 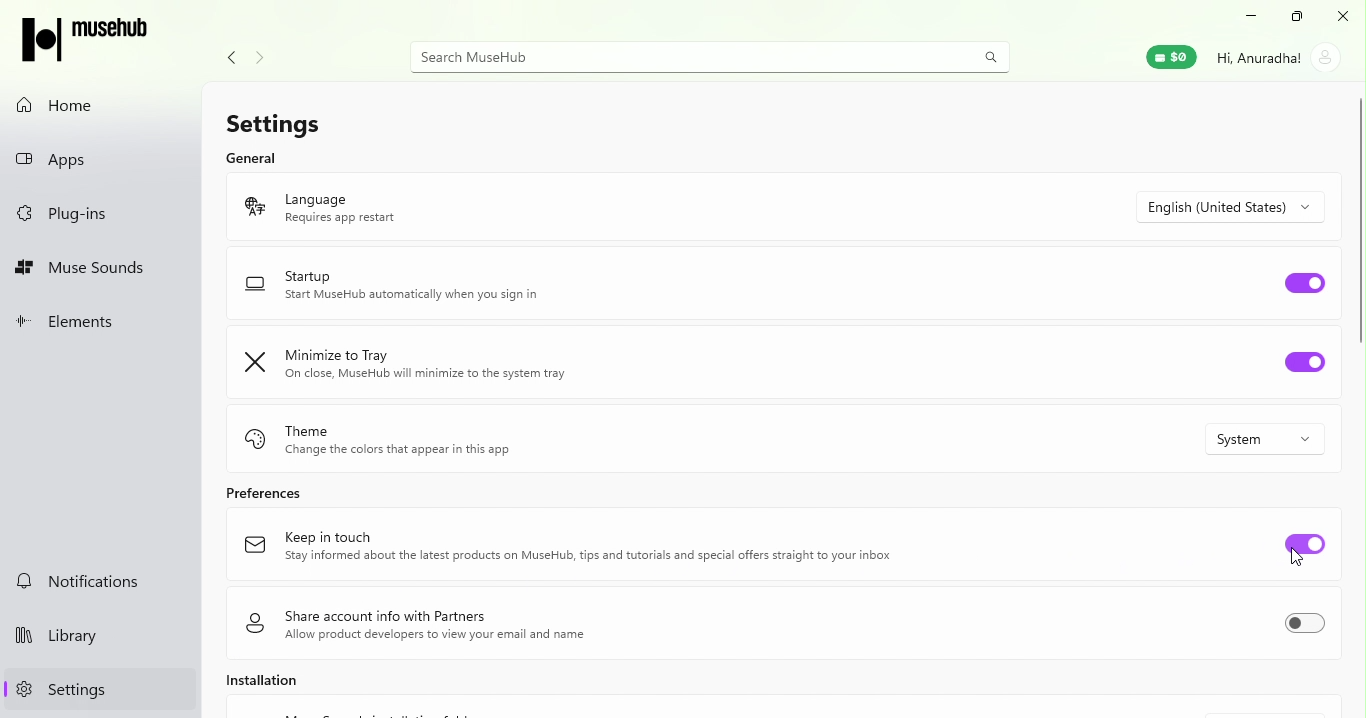 I want to click on Muse wallet, so click(x=1170, y=55).